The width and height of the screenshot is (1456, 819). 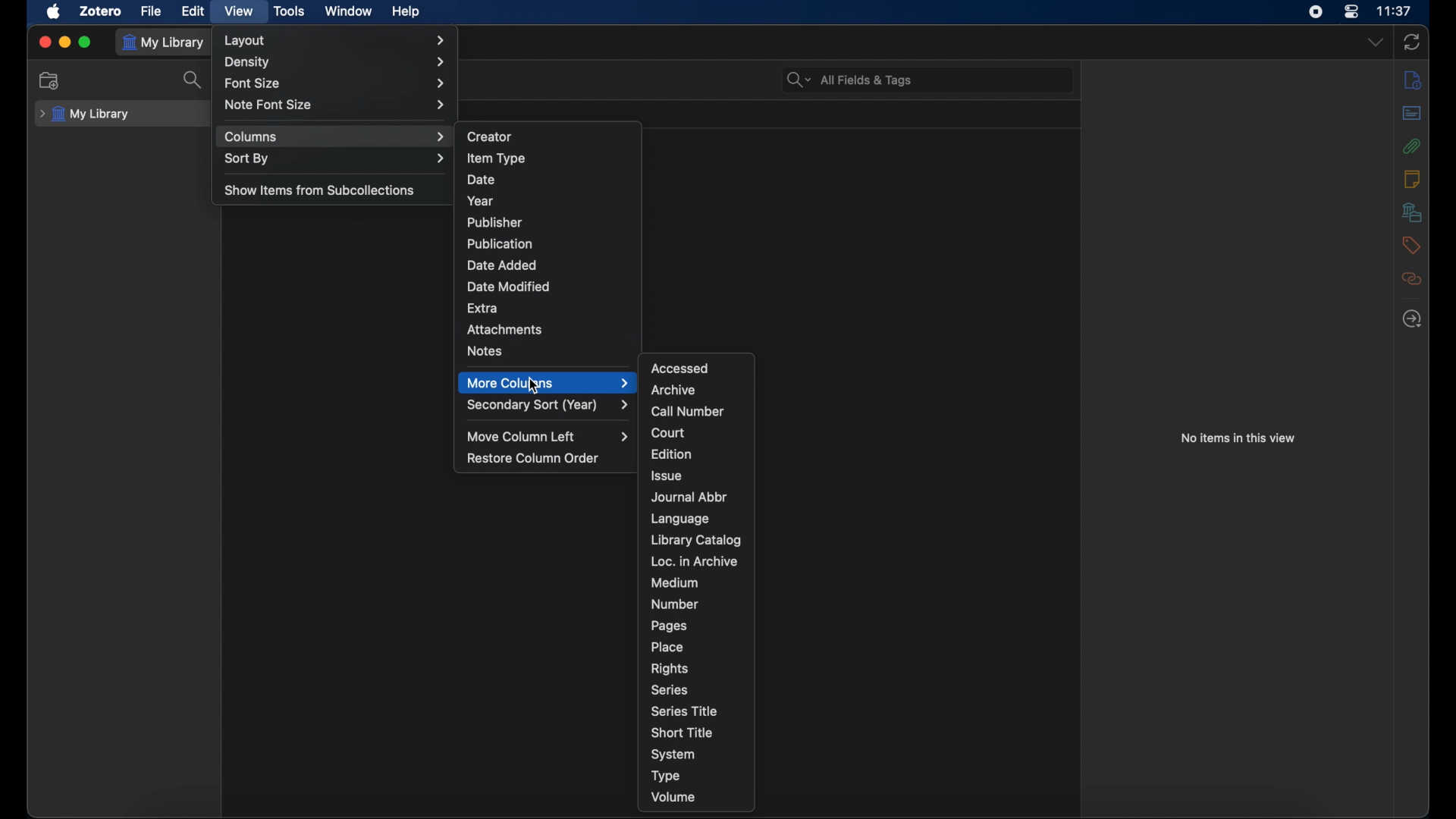 What do you see at coordinates (44, 42) in the screenshot?
I see `close` at bounding box center [44, 42].